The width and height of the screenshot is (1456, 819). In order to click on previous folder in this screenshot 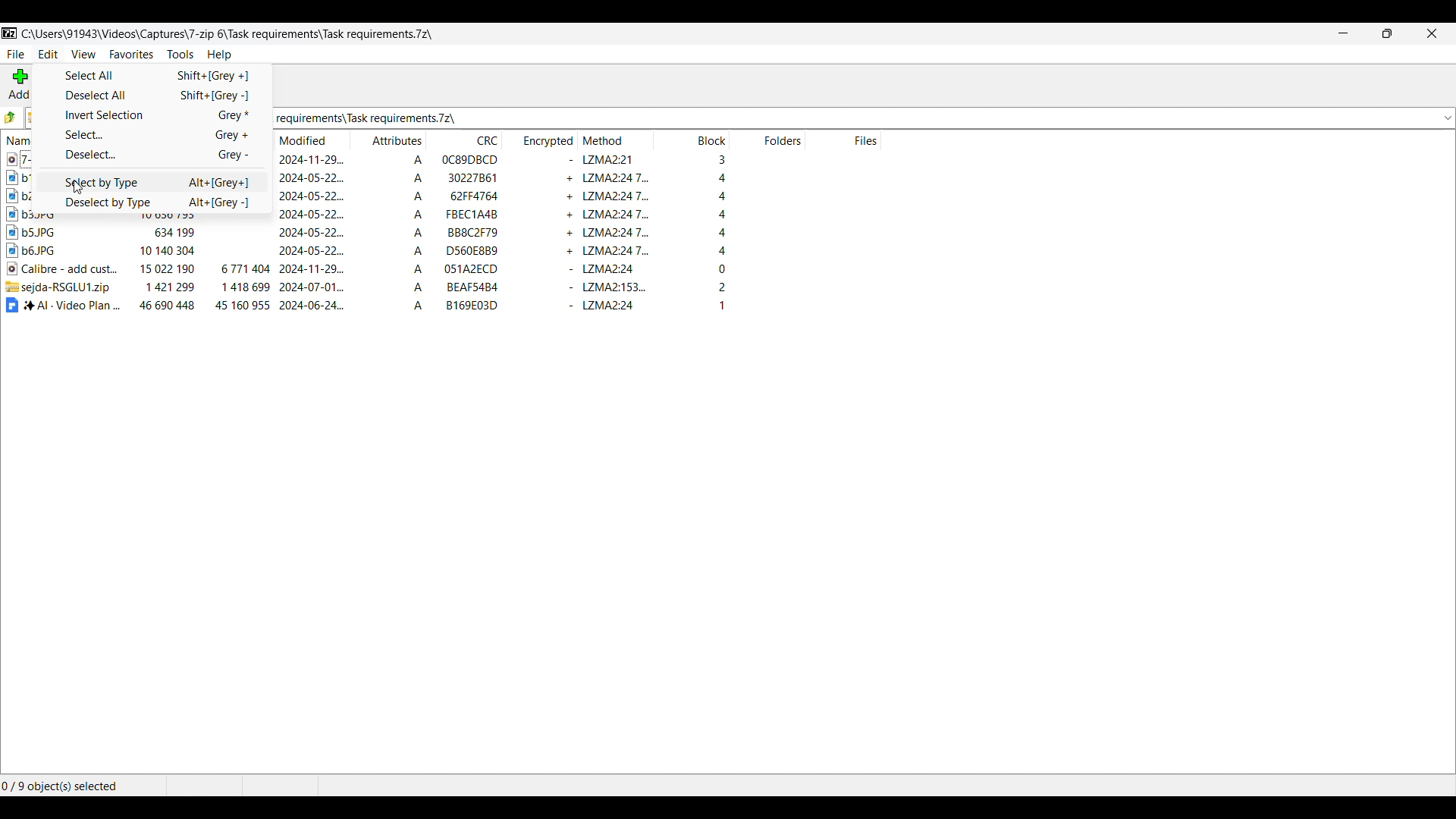, I will do `click(12, 118)`.